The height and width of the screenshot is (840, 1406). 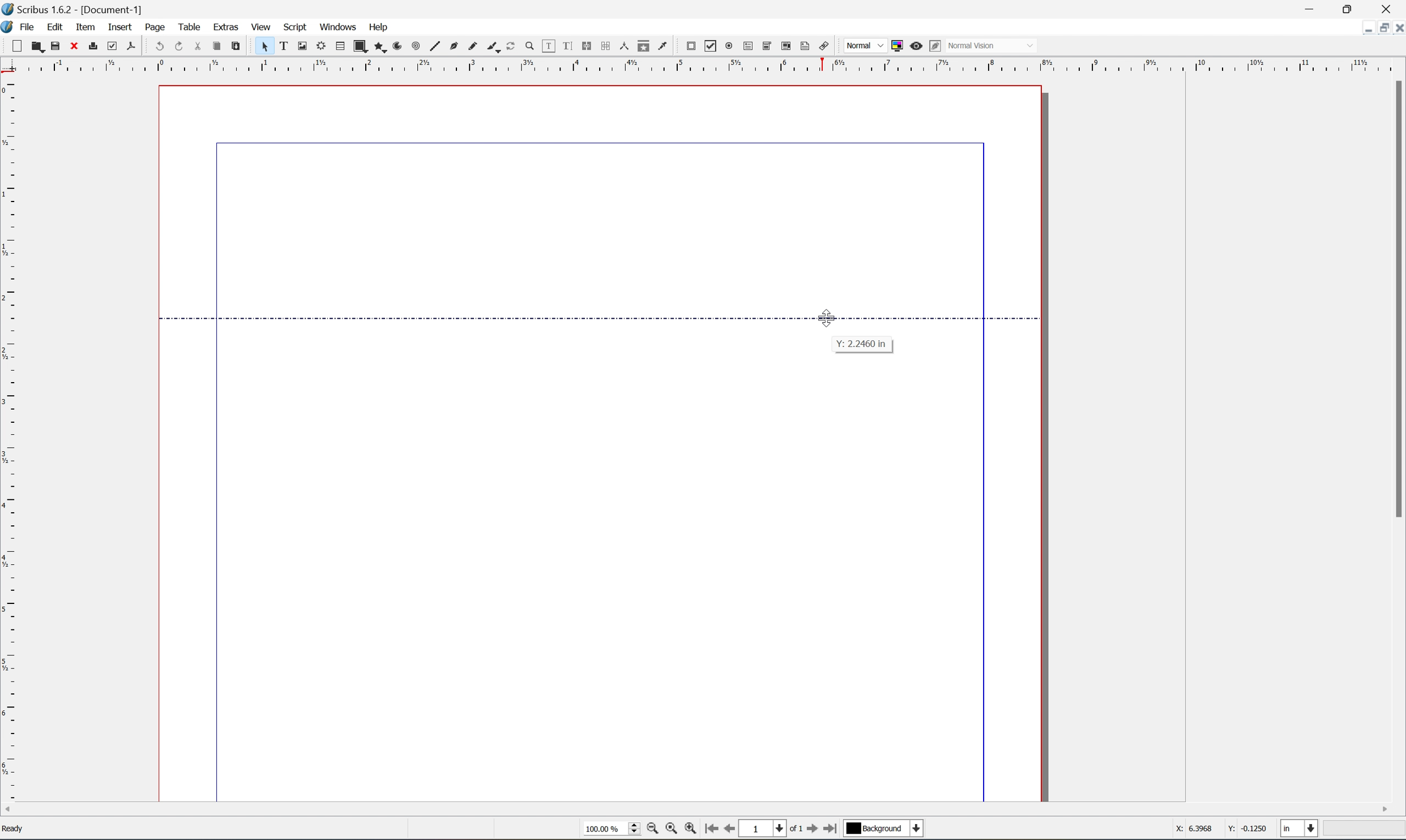 I want to click on pdf checkbox, so click(x=711, y=46).